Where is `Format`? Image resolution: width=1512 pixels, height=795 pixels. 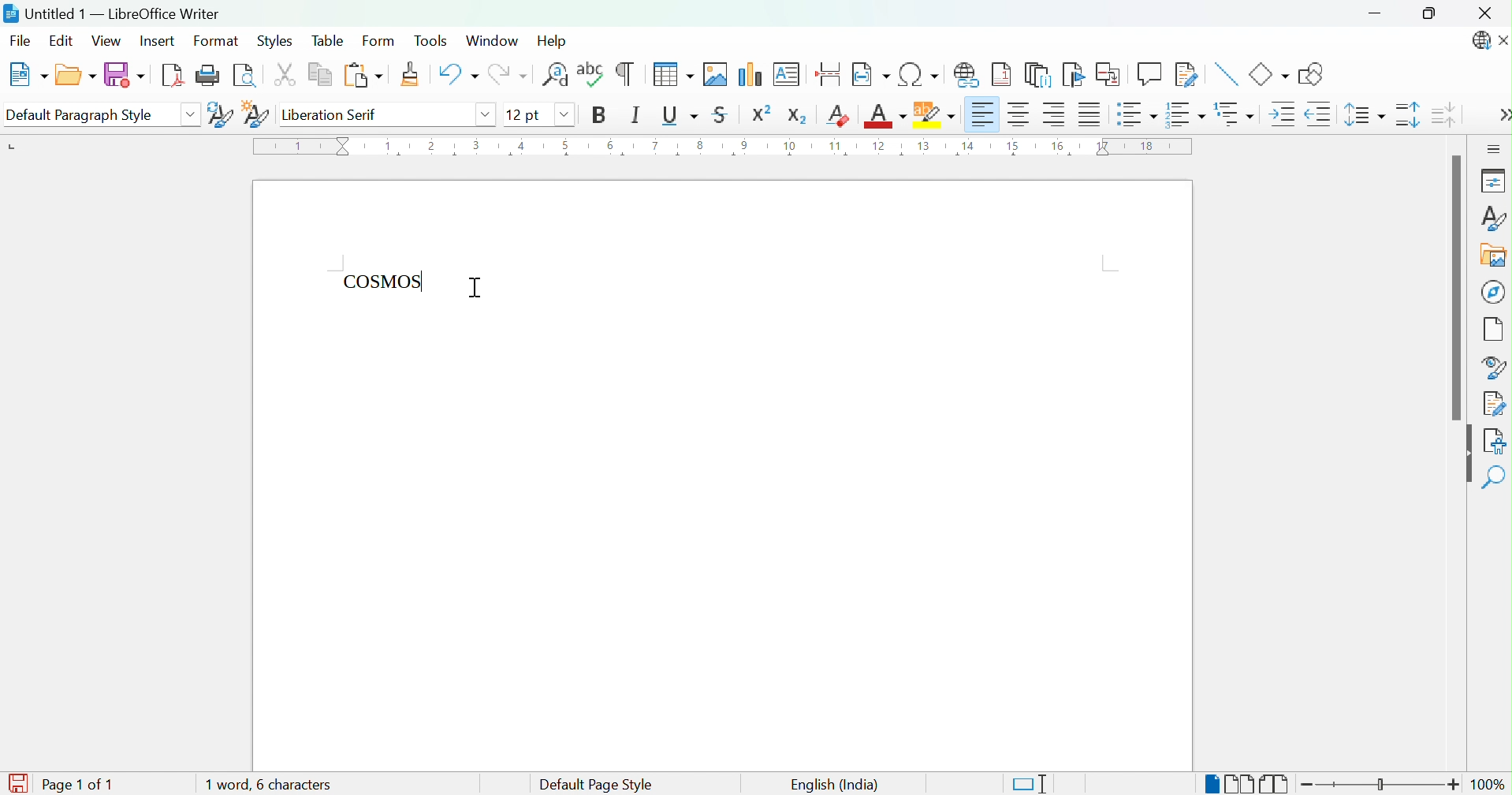 Format is located at coordinates (214, 42).